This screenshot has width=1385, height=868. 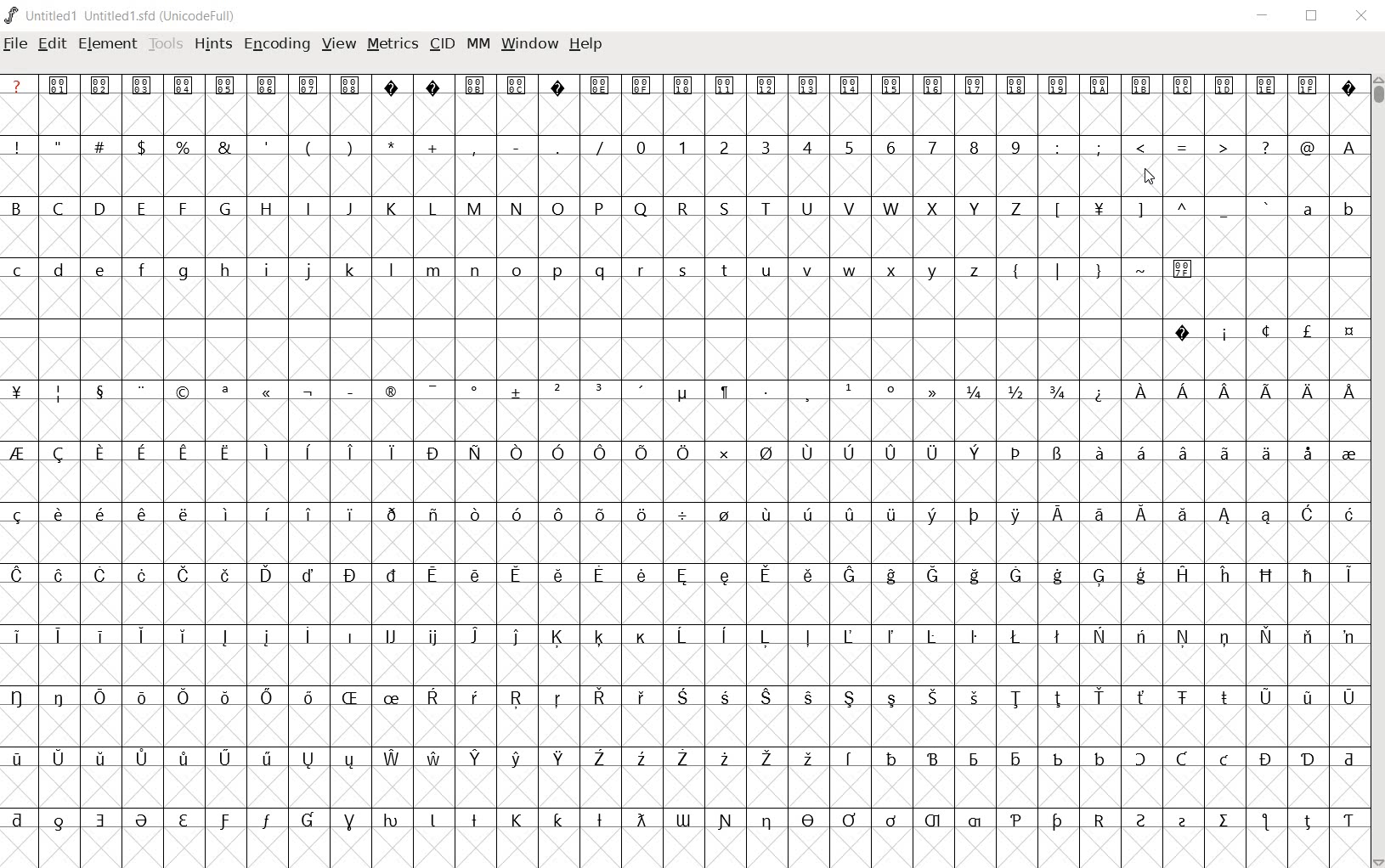 What do you see at coordinates (1150, 176) in the screenshot?
I see `CURSOR` at bounding box center [1150, 176].